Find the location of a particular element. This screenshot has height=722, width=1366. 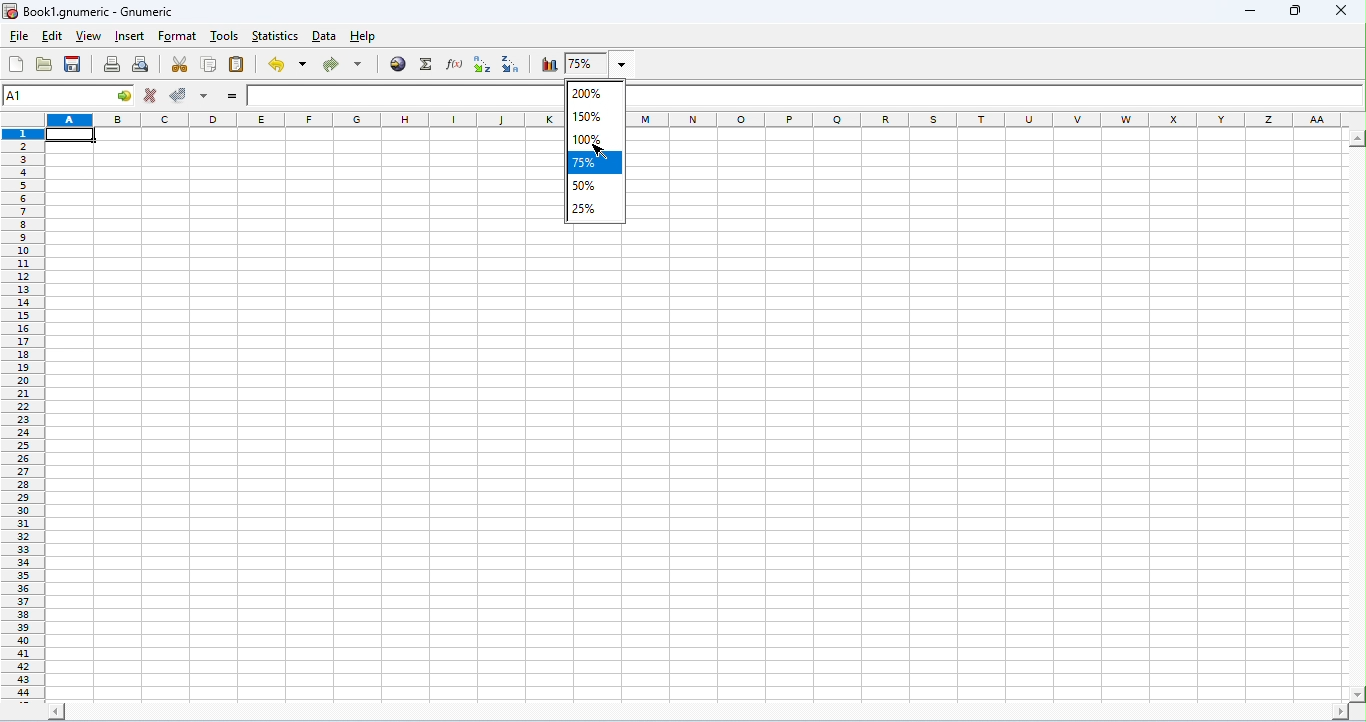

50% is located at coordinates (596, 187).